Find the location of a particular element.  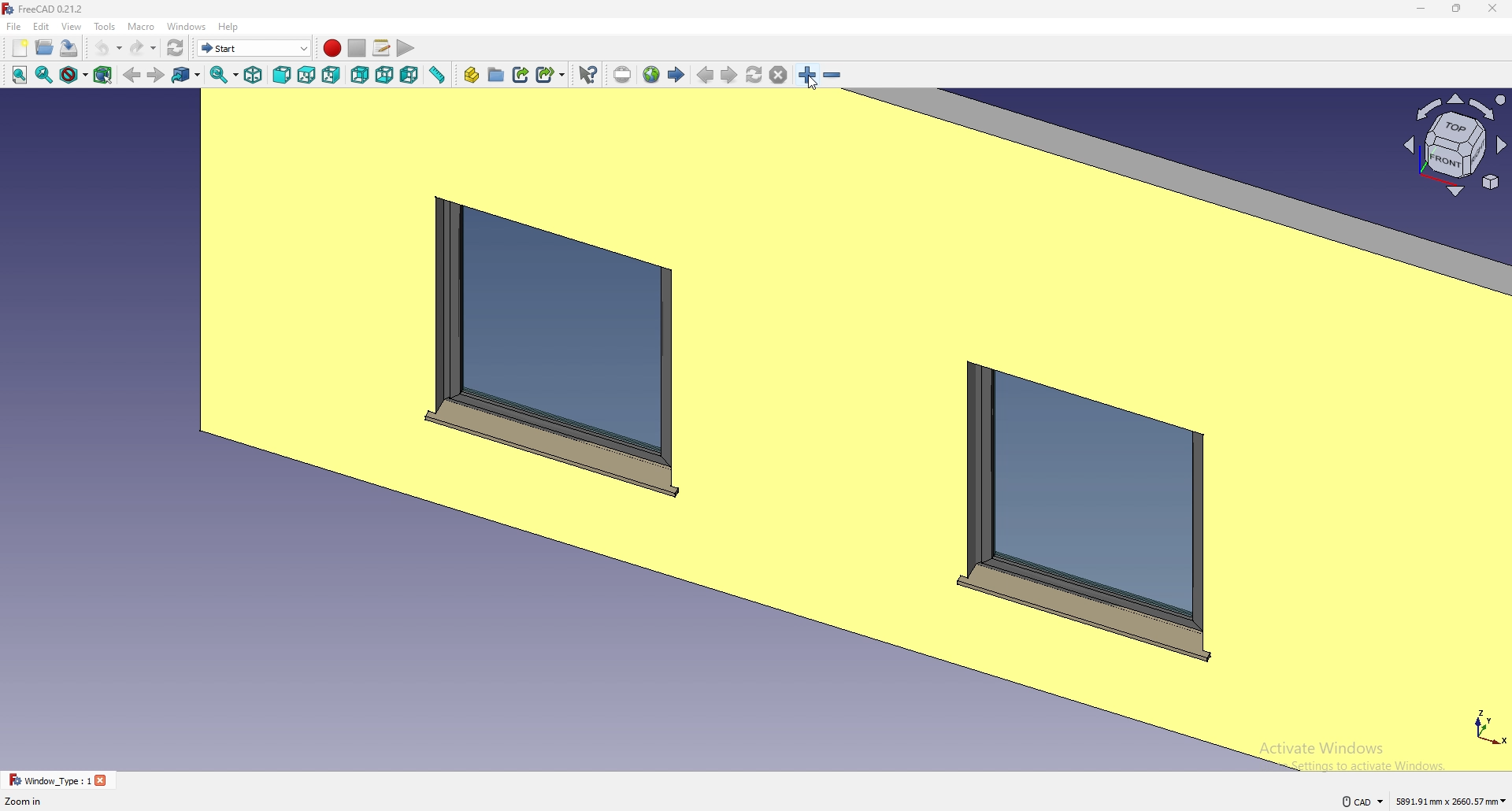

back is located at coordinates (132, 75).